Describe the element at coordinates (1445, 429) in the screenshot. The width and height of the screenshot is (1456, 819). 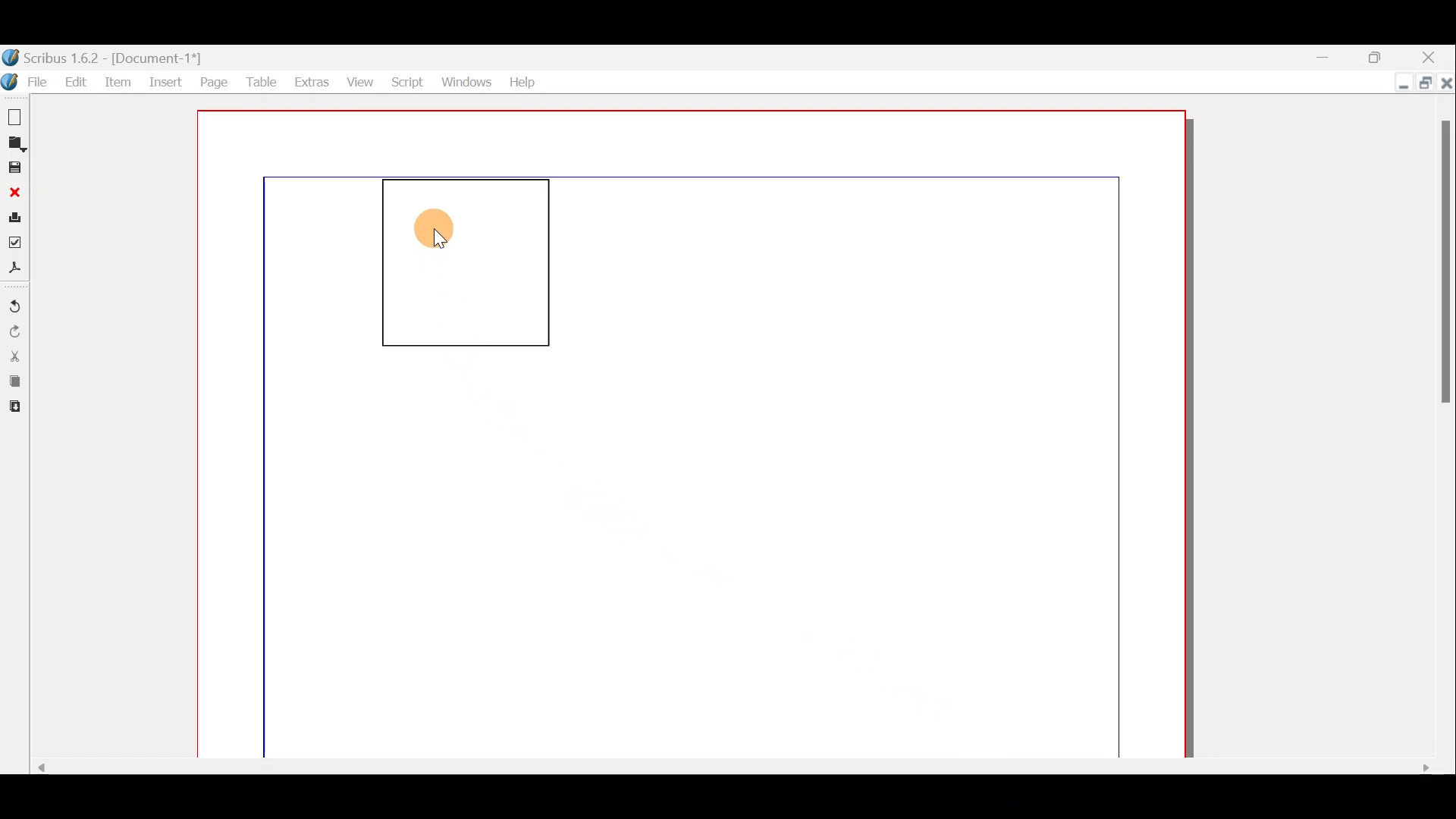
I see `Scroll bar` at that location.